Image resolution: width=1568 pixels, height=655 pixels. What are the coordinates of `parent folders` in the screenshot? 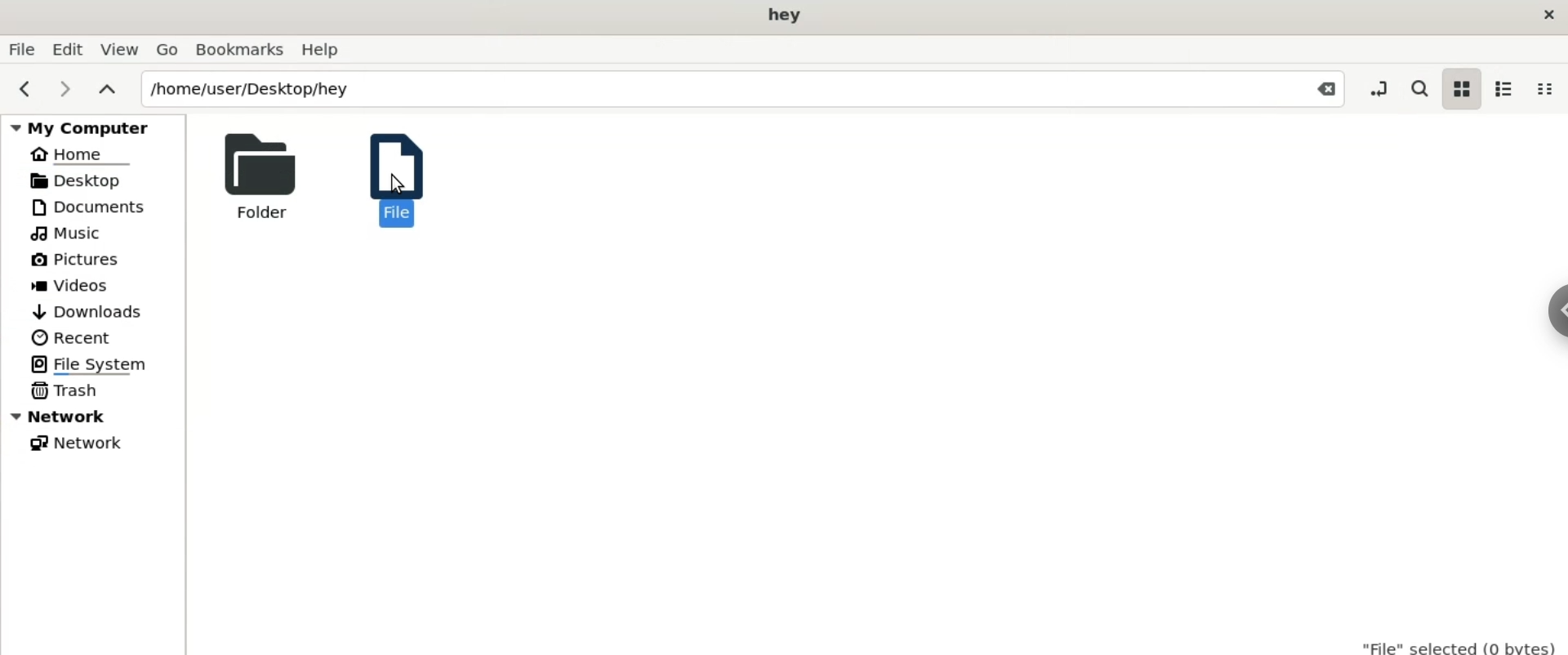 It's located at (105, 89).